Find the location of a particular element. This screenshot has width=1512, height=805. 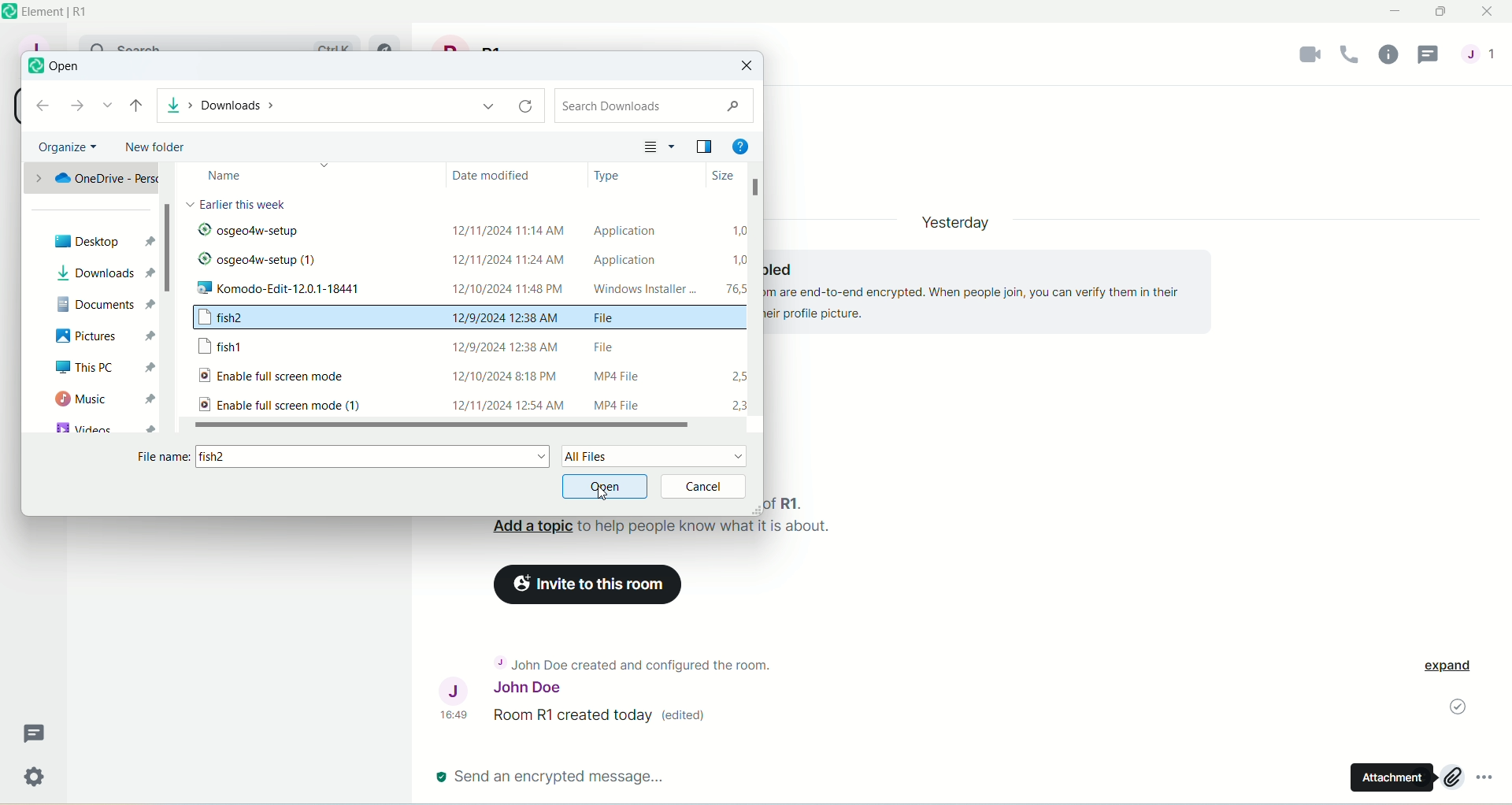

upto is located at coordinates (136, 107).